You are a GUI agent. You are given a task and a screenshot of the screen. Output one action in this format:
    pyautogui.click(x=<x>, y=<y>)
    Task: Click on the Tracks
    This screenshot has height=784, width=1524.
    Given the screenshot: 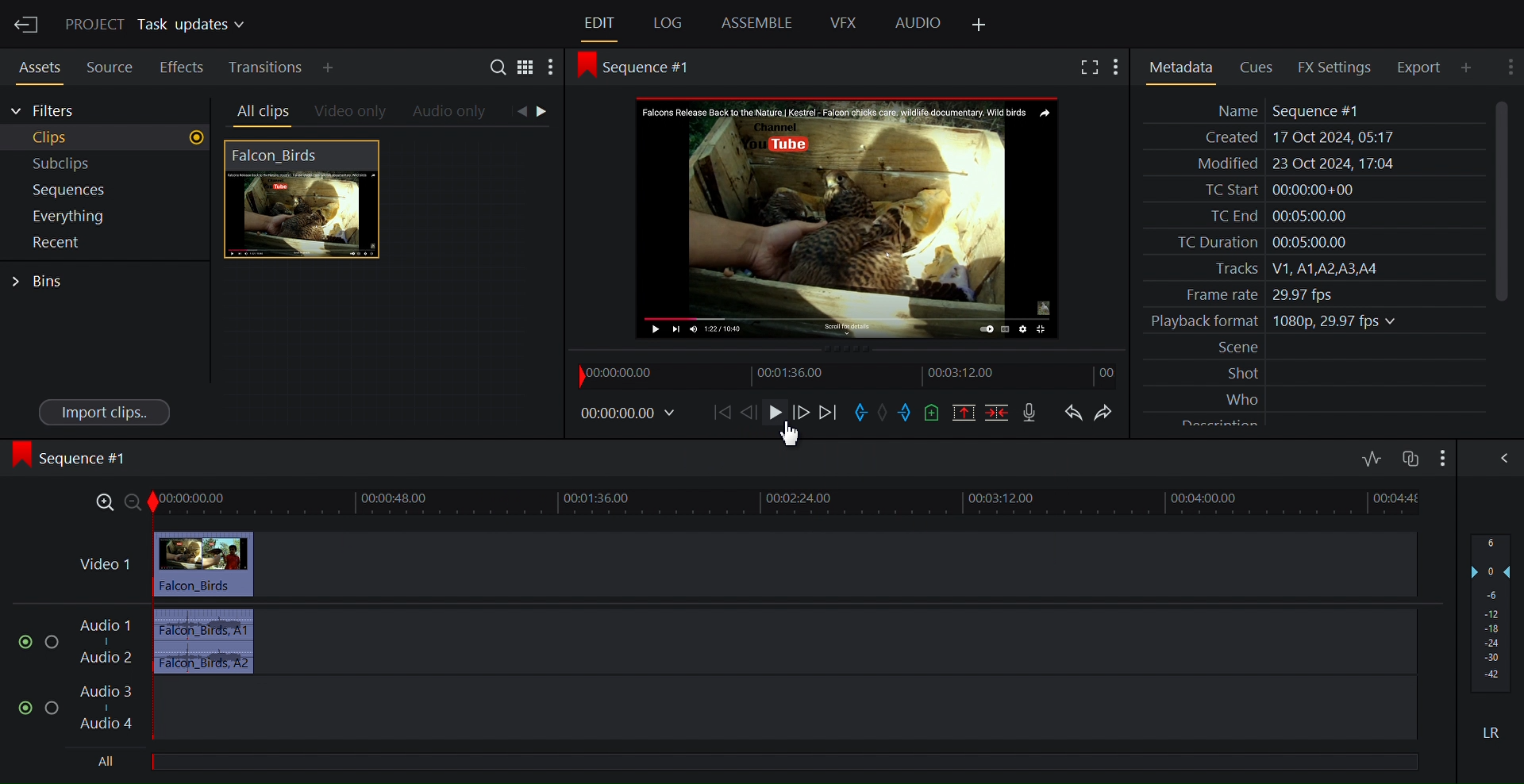 What is the action you would take?
    pyautogui.click(x=1312, y=269)
    